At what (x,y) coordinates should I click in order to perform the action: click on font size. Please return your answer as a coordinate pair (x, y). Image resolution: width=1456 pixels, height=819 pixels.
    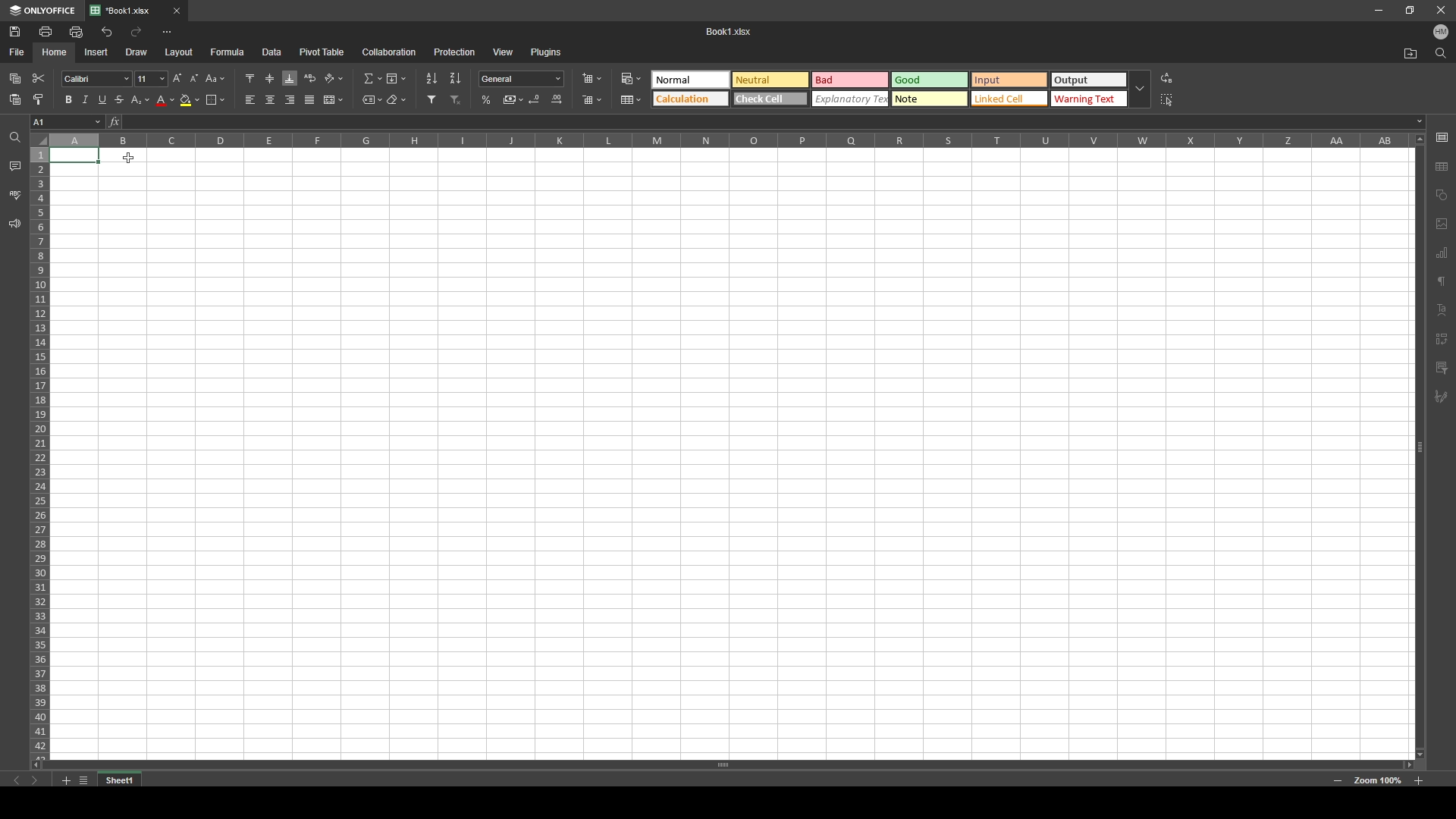
    Looking at the image, I should click on (150, 79).